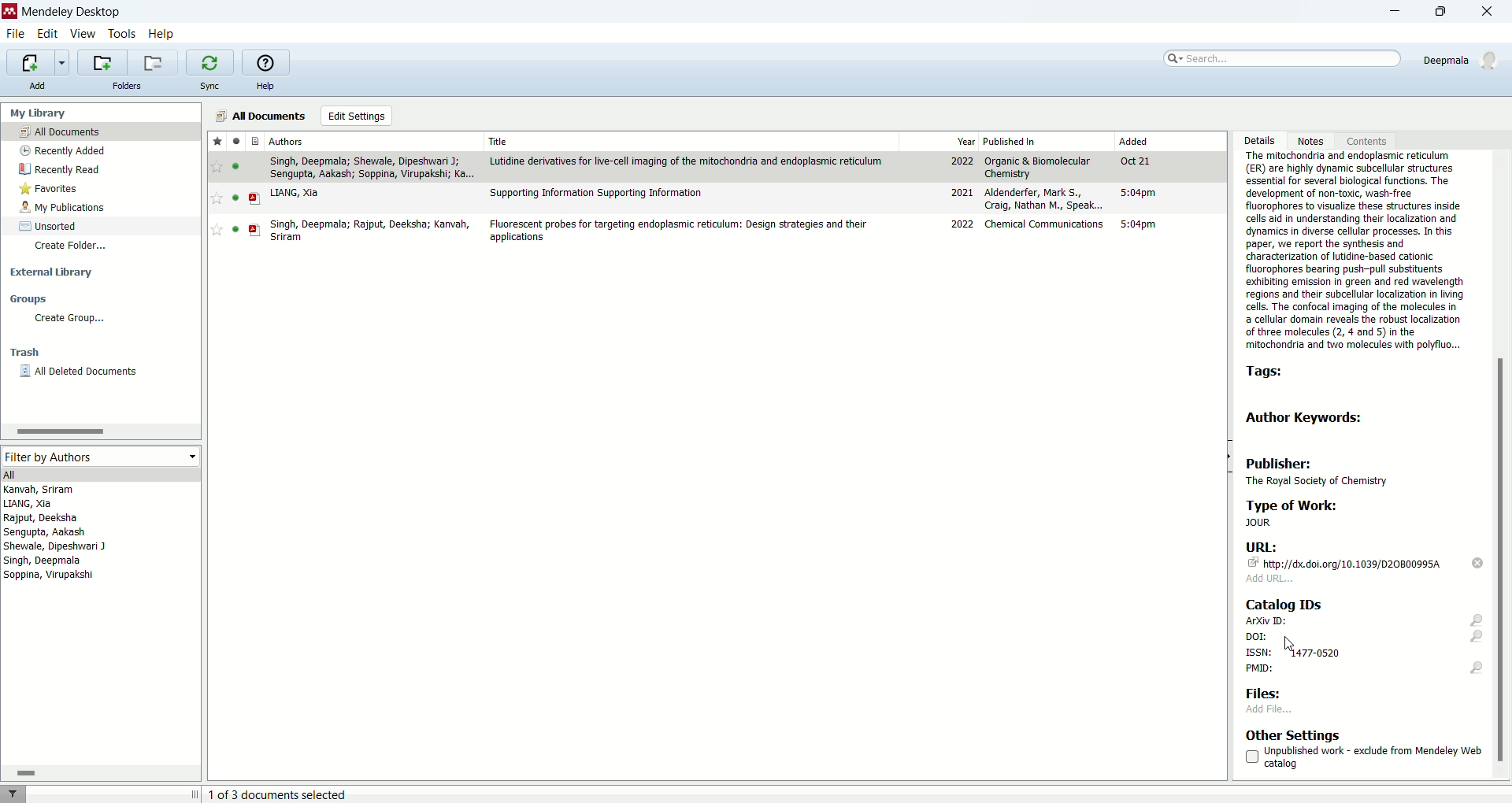 Image resolution: width=1512 pixels, height=803 pixels. What do you see at coordinates (687, 161) in the screenshot?
I see `Lutidine derivatives for live-cell imaging of the mitochondria and endoplasmic reticulum` at bounding box center [687, 161].